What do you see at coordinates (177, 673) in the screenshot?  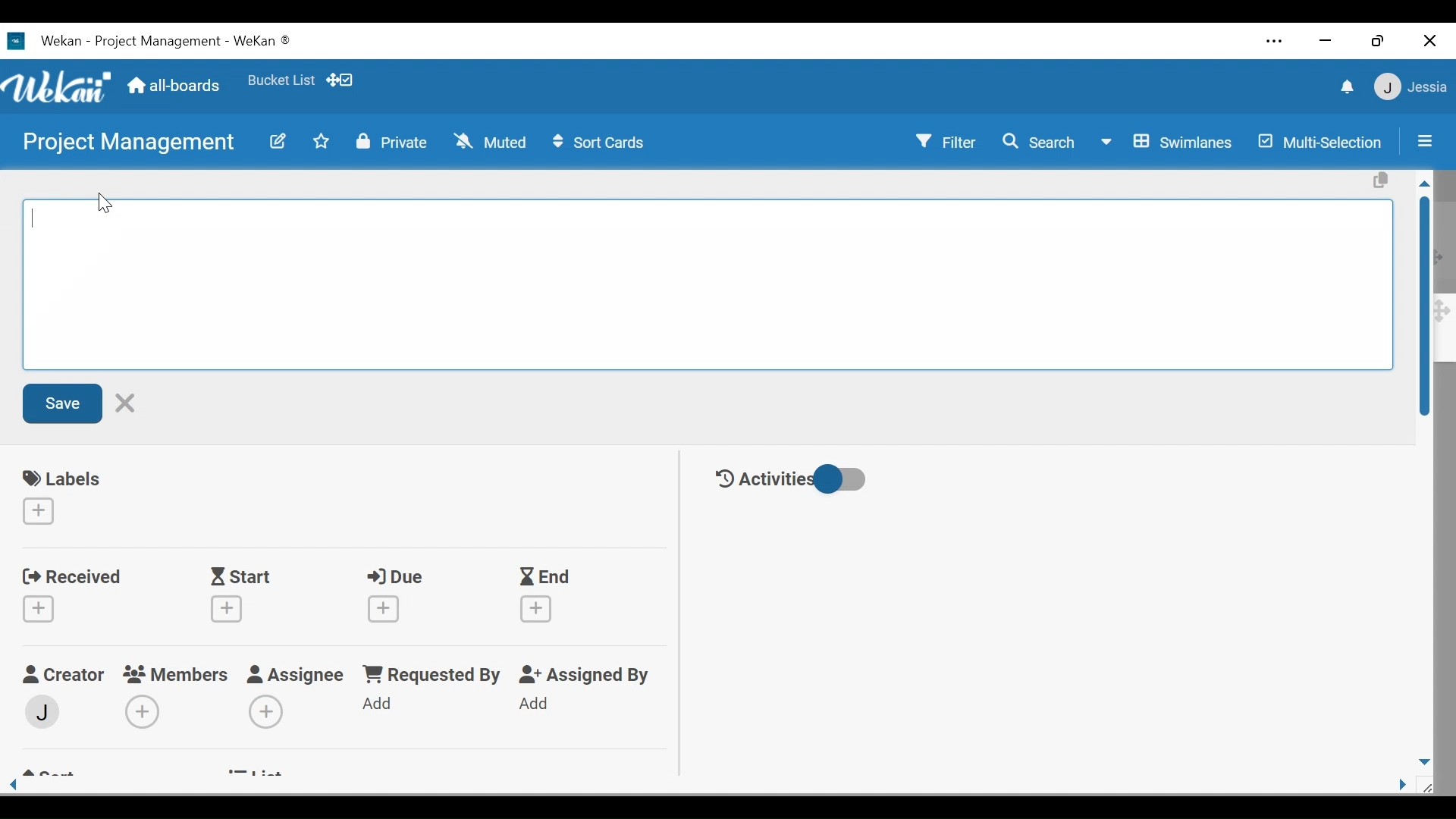 I see `Members` at bounding box center [177, 673].